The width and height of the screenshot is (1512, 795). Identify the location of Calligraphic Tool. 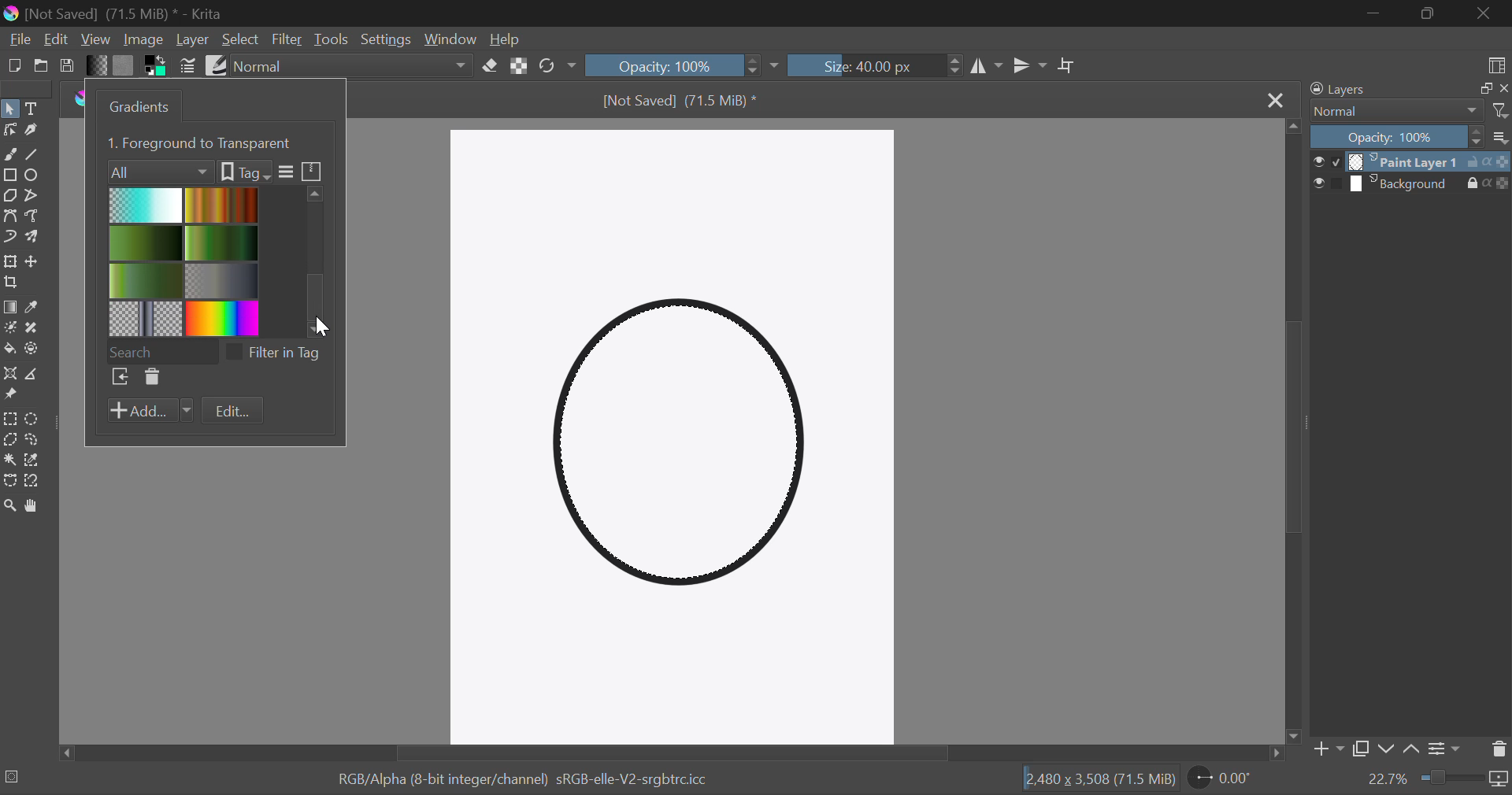
(34, 133).